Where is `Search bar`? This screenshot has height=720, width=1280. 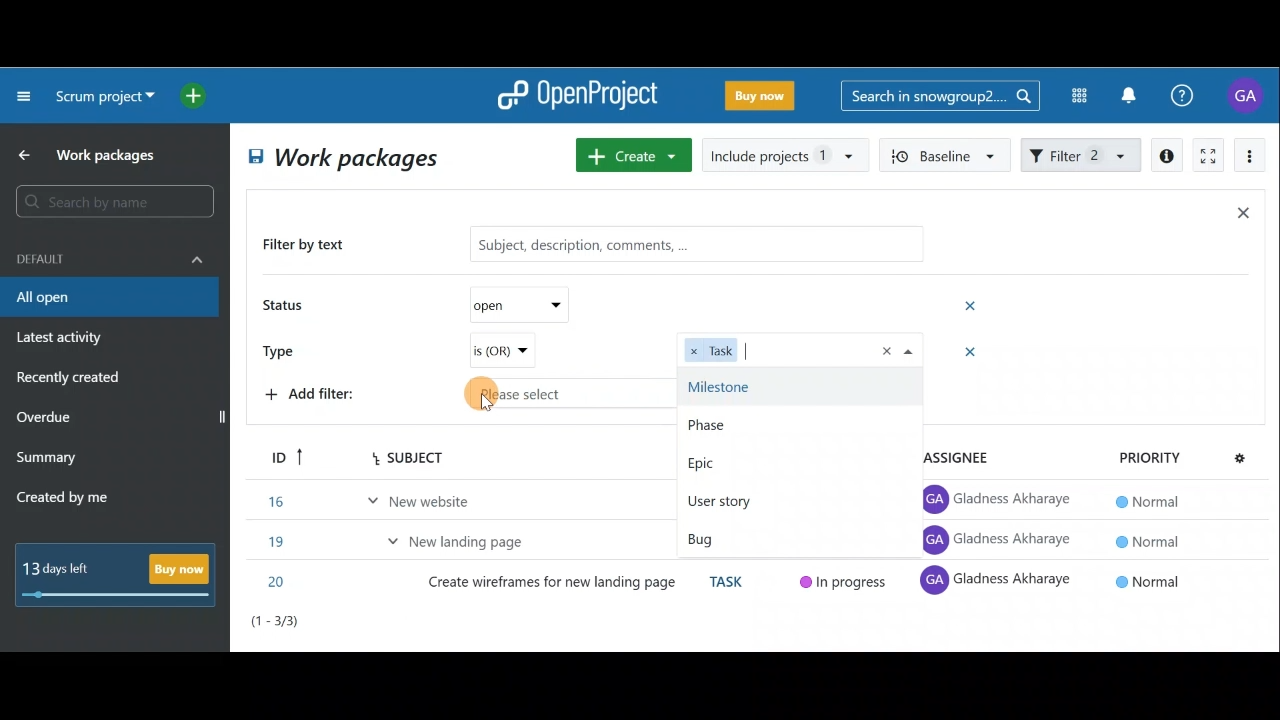 Search bar is located at coordinates (118, 201).